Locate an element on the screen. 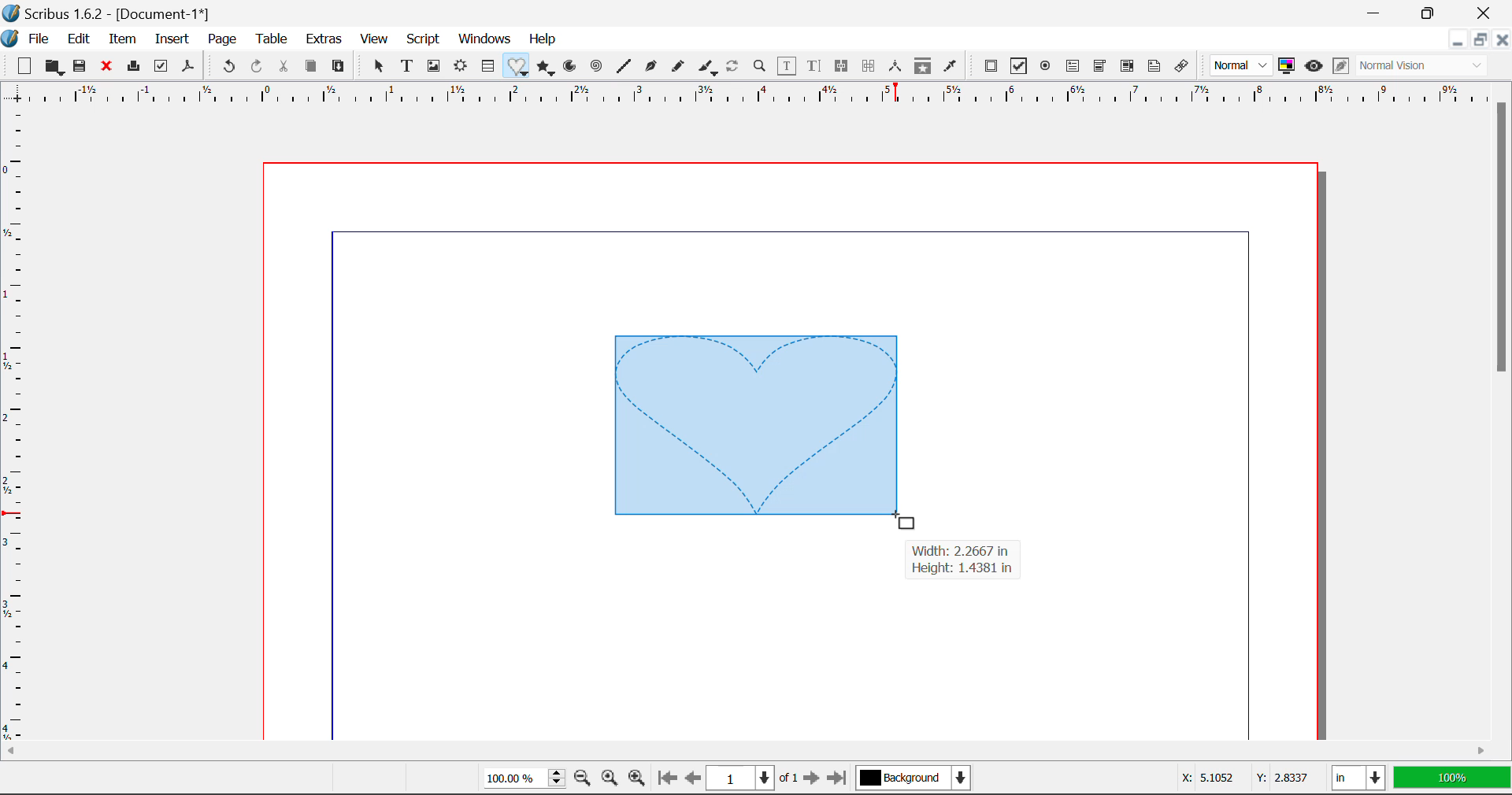  File is located at coordinates (39, 39).